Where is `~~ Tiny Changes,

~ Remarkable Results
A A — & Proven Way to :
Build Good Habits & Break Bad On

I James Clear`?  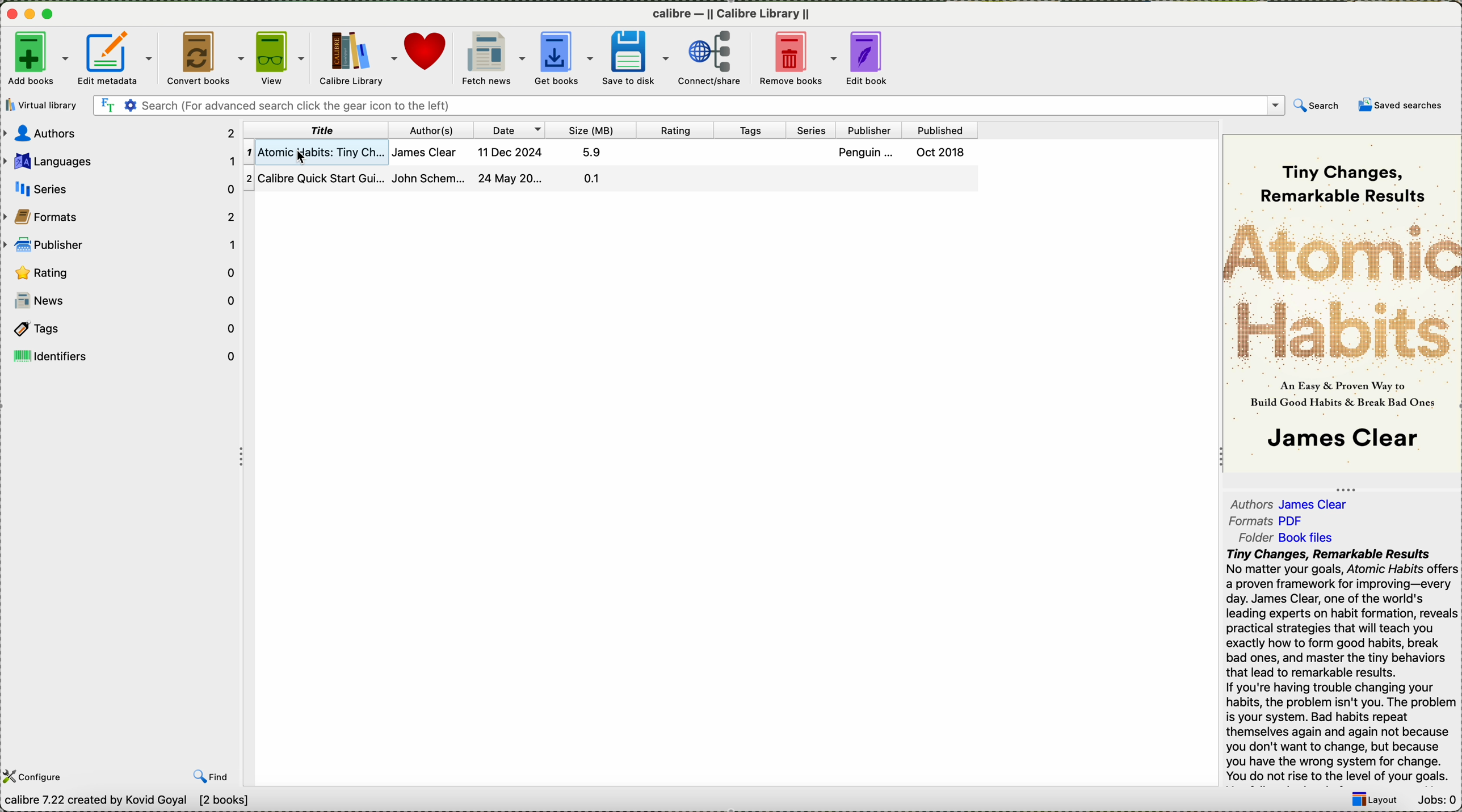 ~~ Tiny Changes,

~ Remarkable Results
A A — & Proven Way to :
Build Good Habits & Break Bad On

I James Clear is located at coordinates (1341, 299).